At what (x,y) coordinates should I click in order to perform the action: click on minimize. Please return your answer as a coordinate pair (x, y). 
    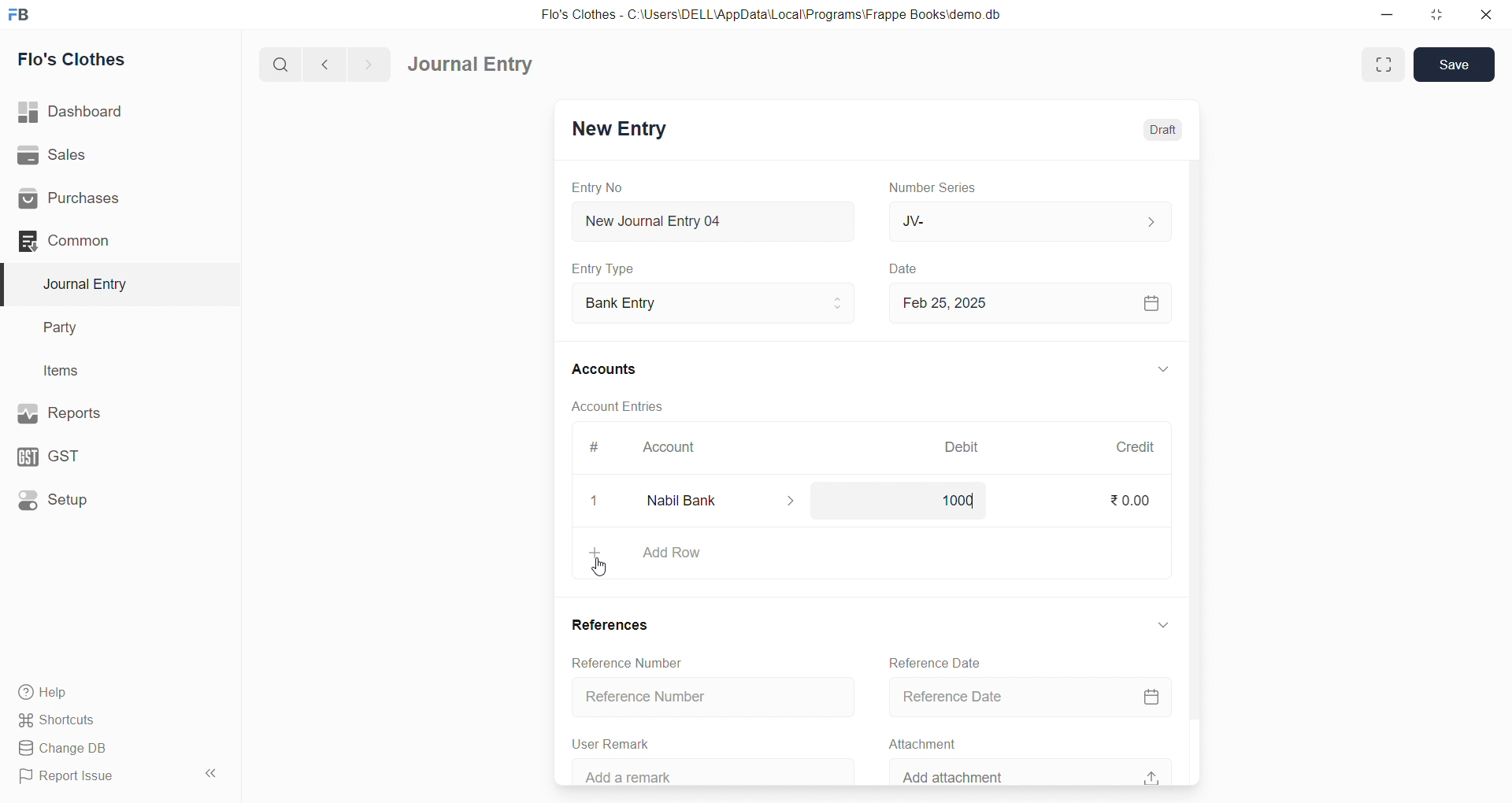
    Looking at the image, I should click on (1388, 13).